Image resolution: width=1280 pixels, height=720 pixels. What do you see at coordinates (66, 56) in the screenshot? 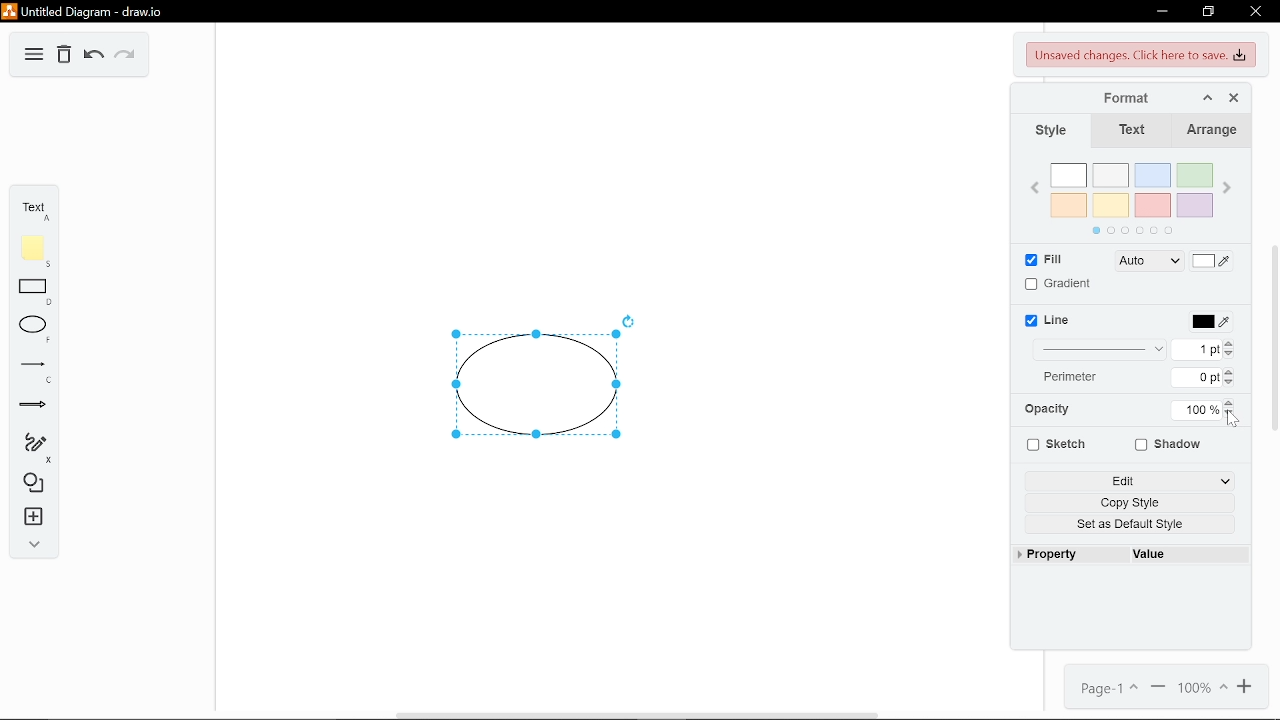
I see `Delete` at bounding box center [66, 56].